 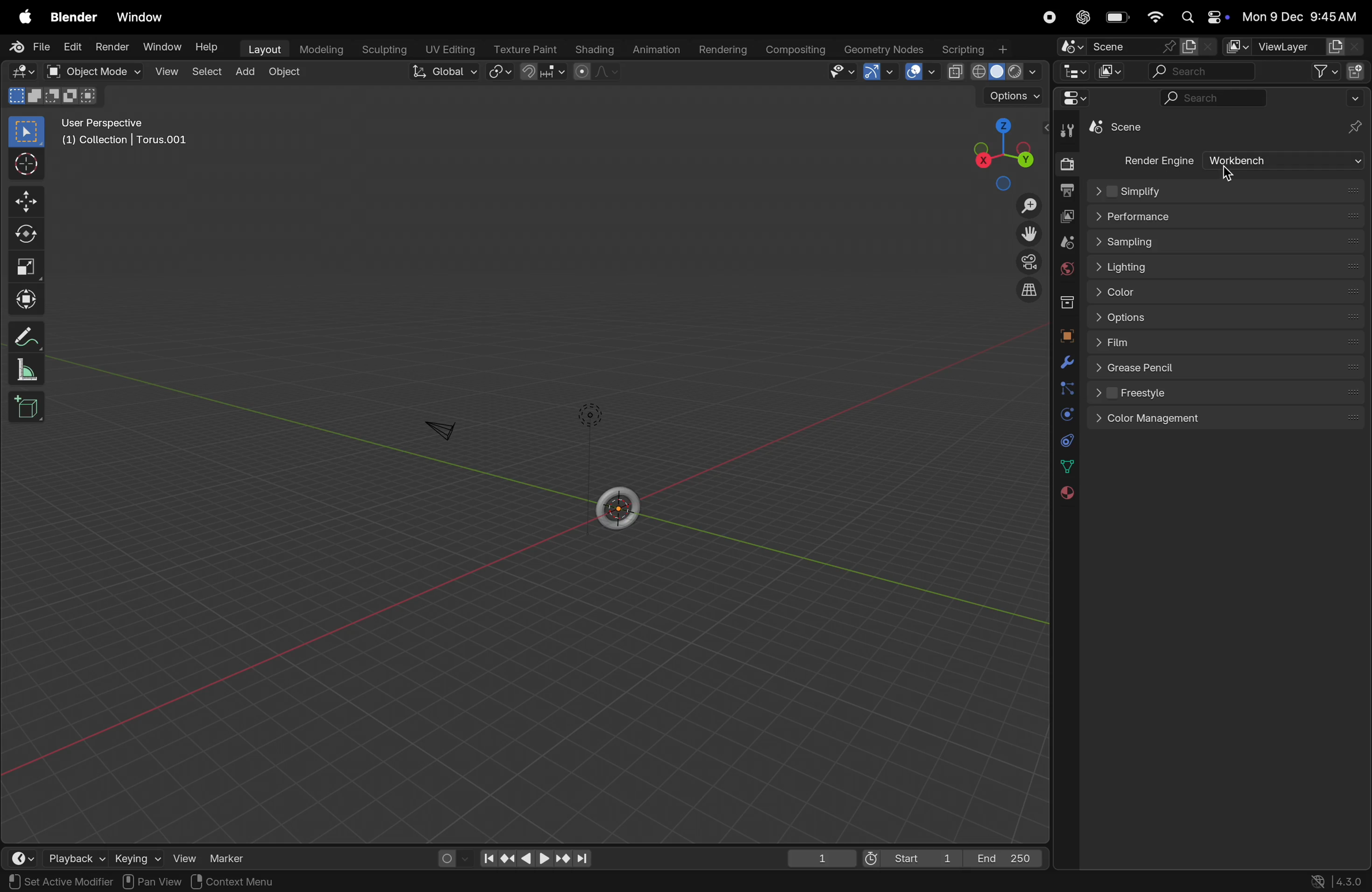 I want to click on scale, so click(x=28, y=371).